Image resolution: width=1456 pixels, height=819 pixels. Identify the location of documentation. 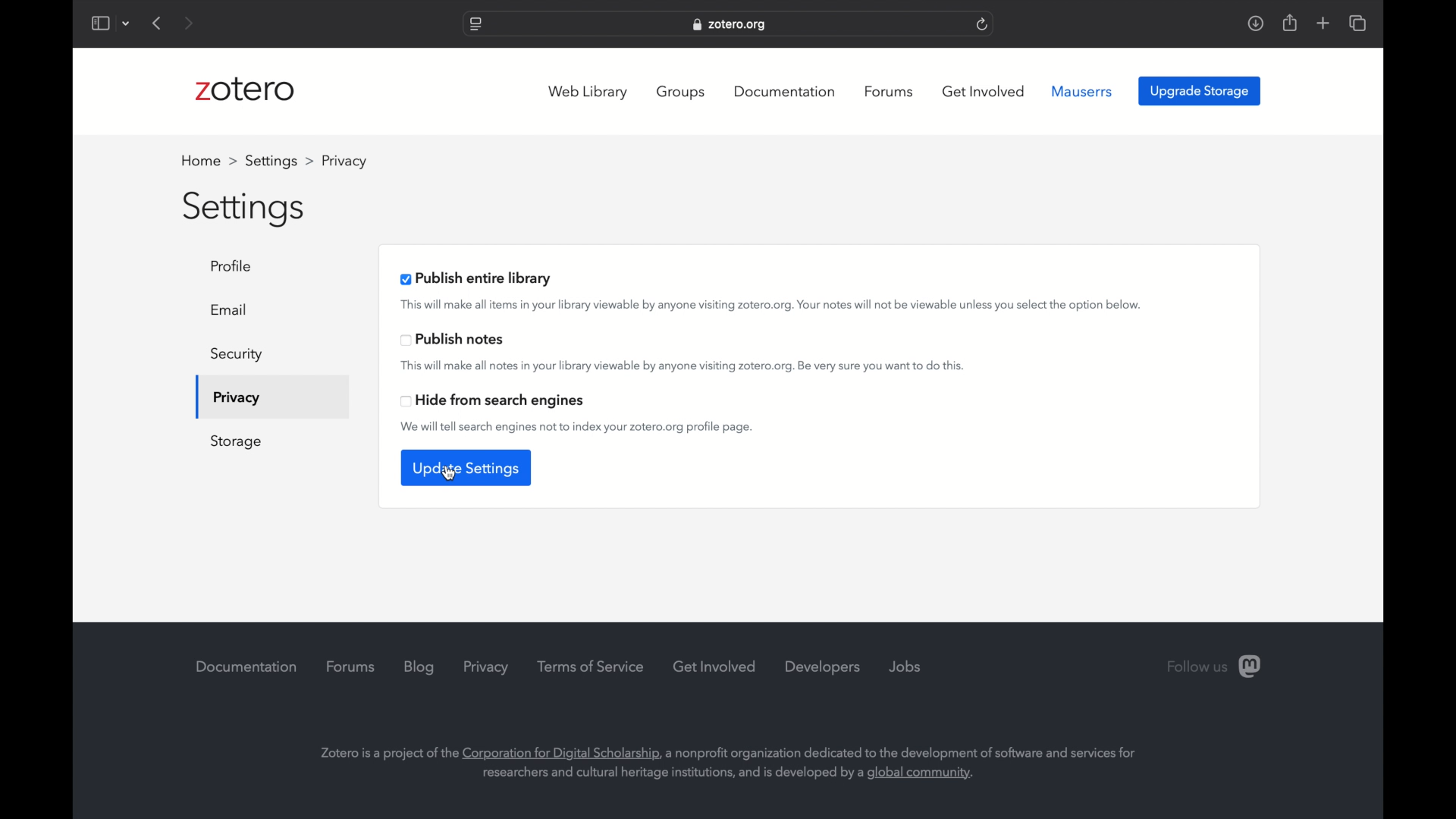
(784, 92).